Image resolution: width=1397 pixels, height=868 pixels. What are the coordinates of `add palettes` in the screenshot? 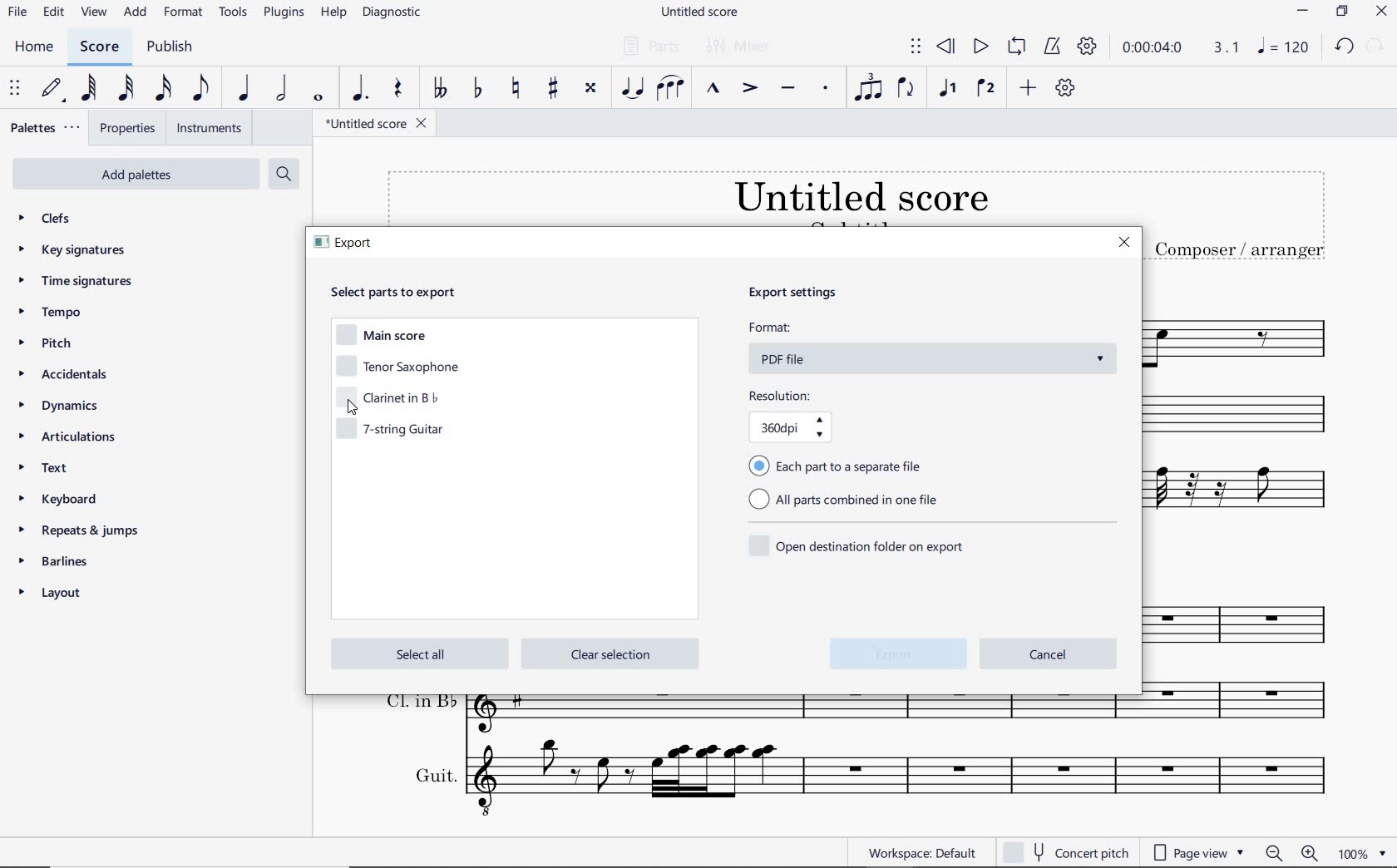 It's located at (133, 174).